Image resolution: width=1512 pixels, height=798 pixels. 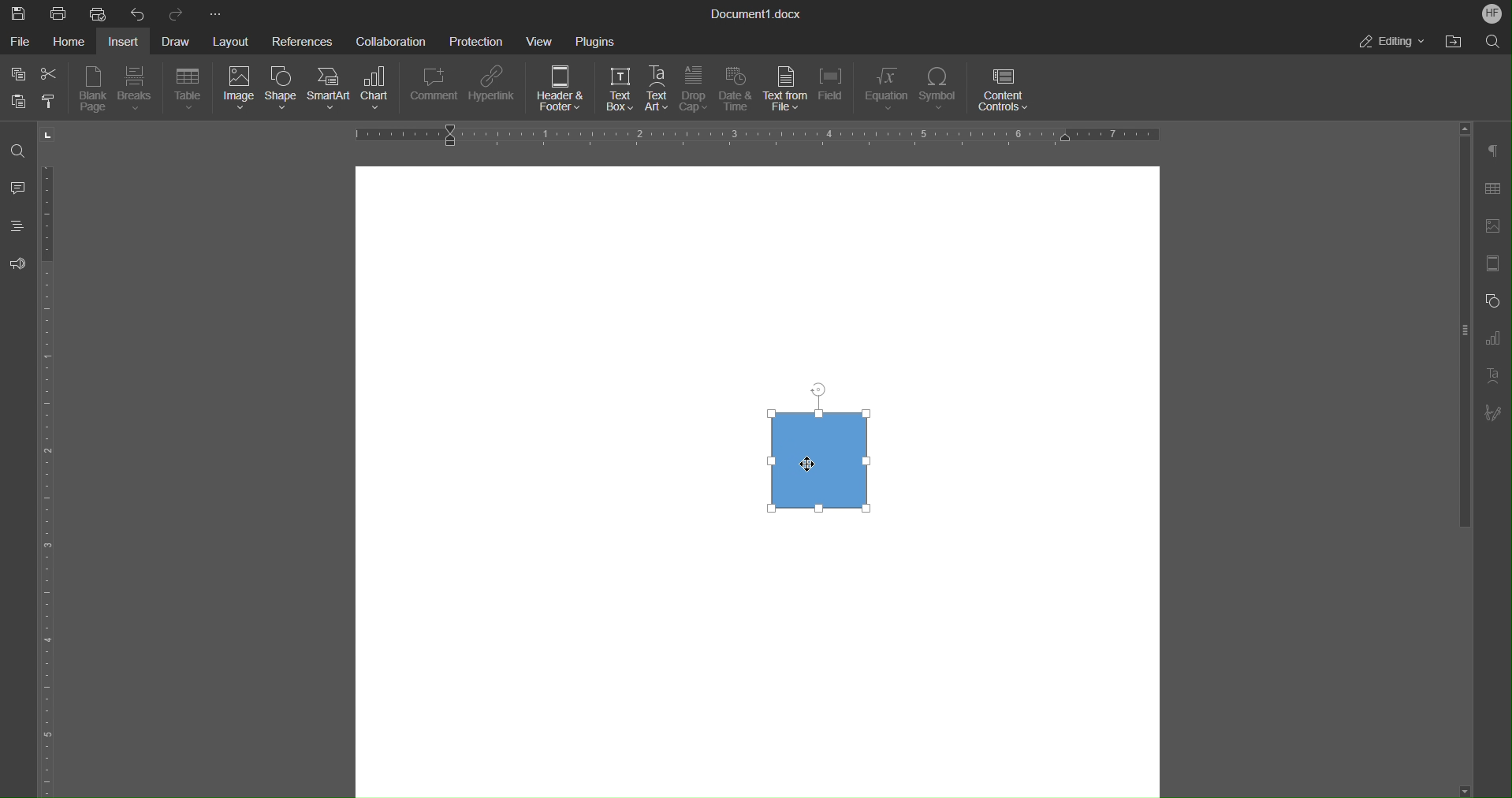 I want to click on Text from File, so click(x=787, y=90).